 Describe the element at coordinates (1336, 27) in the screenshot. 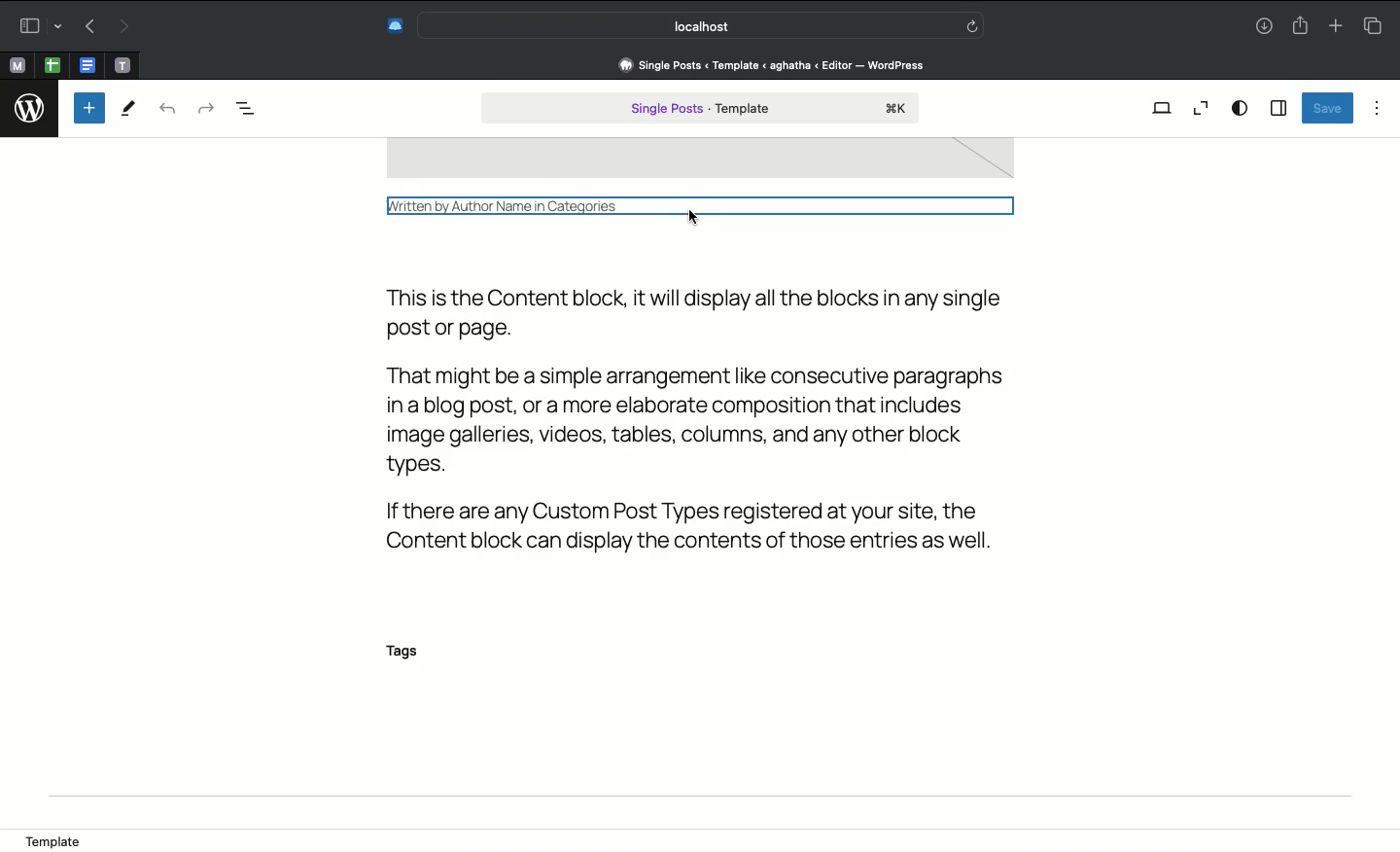

I see `New tab` at that location.